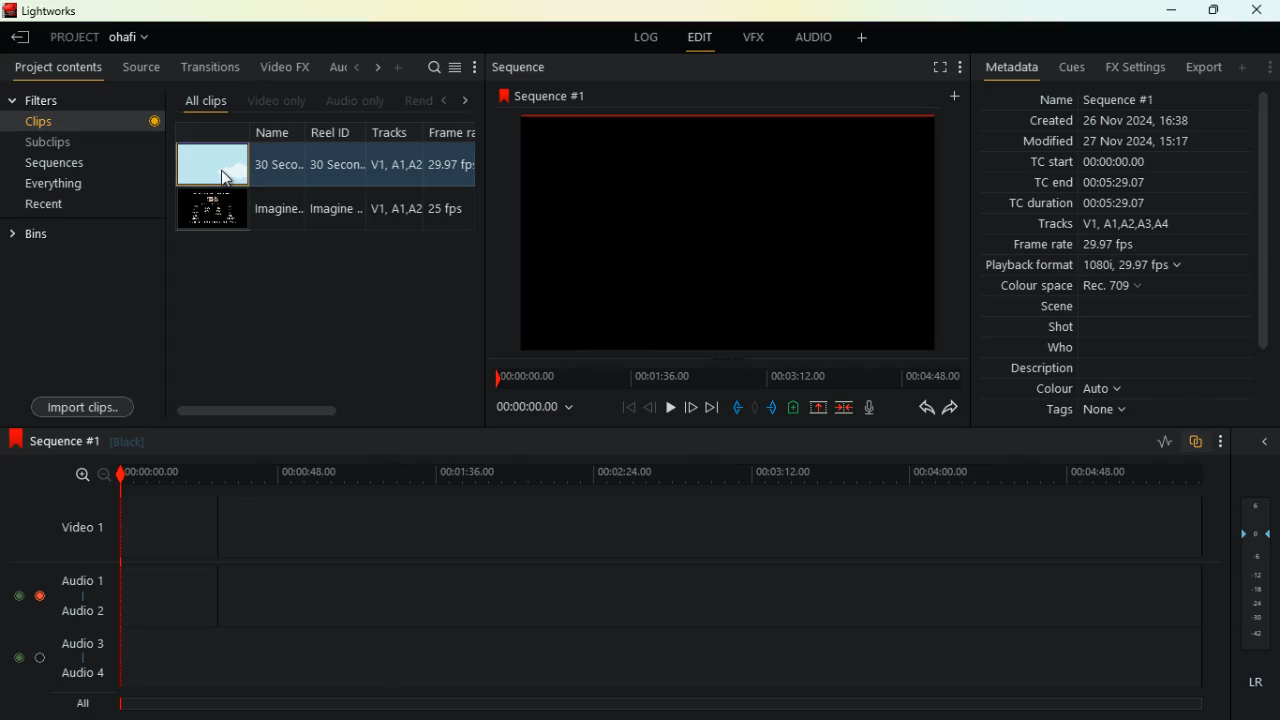  I want to click on reel id, so click(339, 178).